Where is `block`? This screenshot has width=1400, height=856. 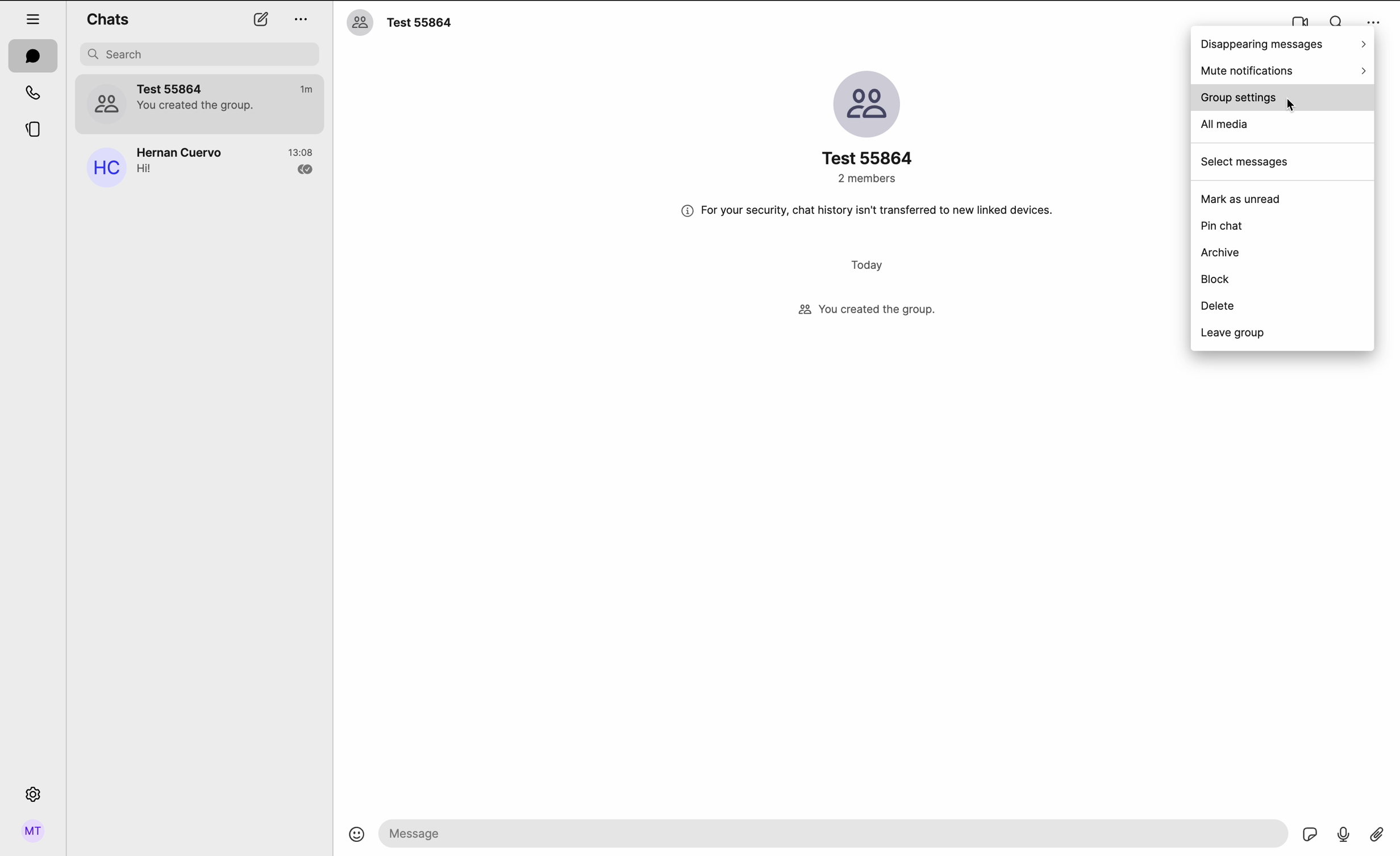
block is located at coordinates (1216, 280).